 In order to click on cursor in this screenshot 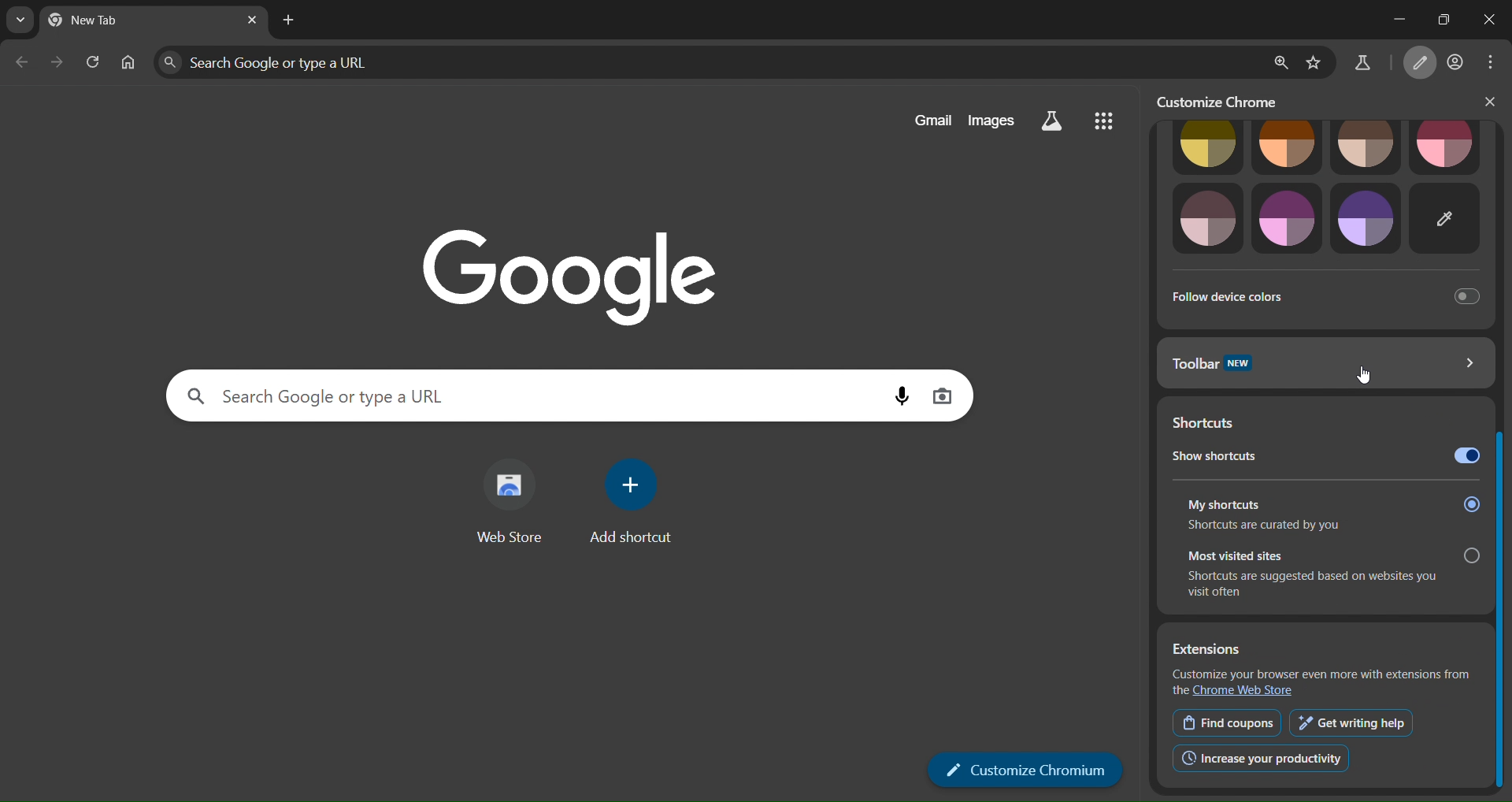, I will do `click(1367, 376)`.